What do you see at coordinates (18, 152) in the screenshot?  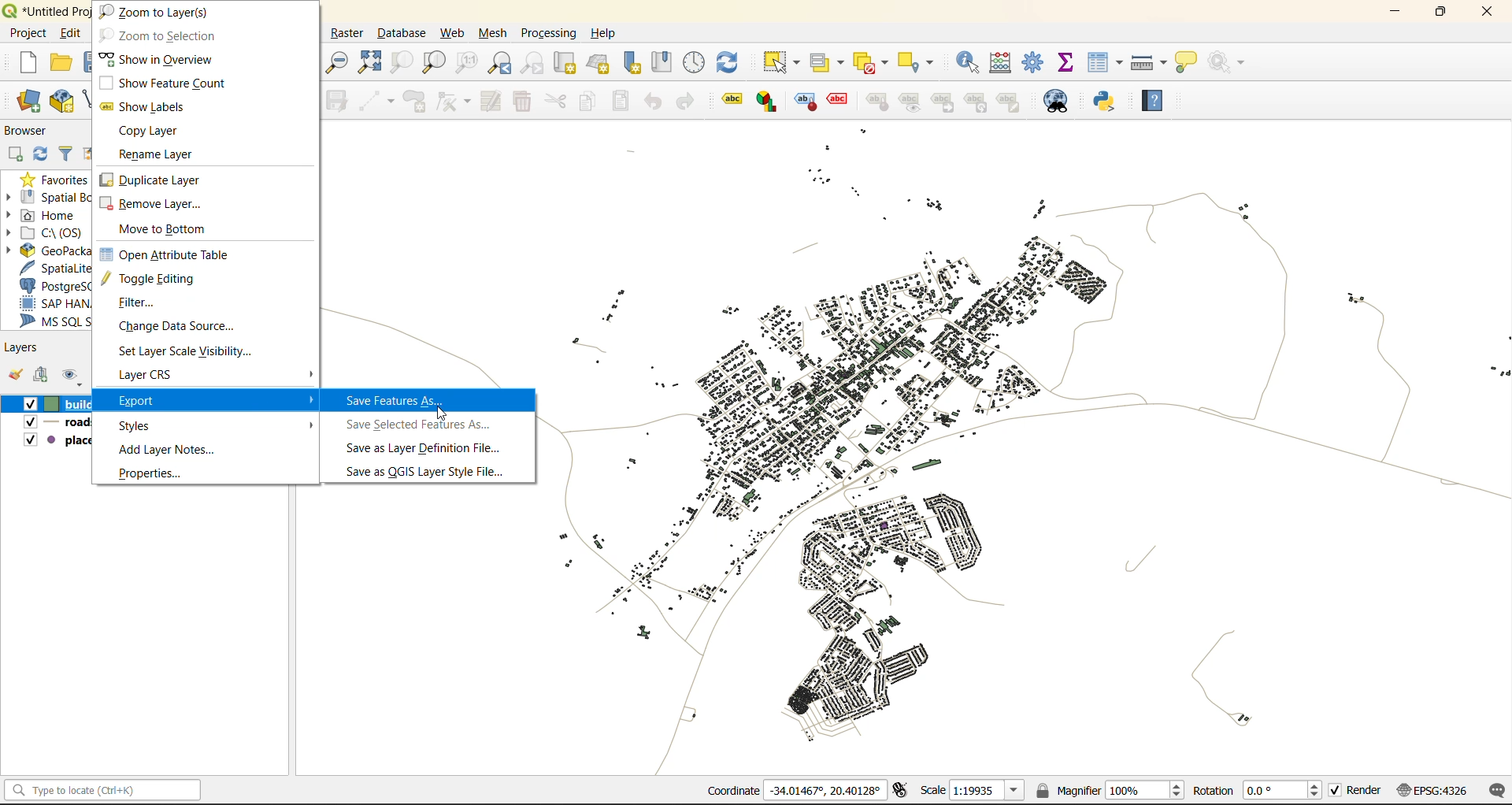 I see `add` at bounding box center [18, 152].